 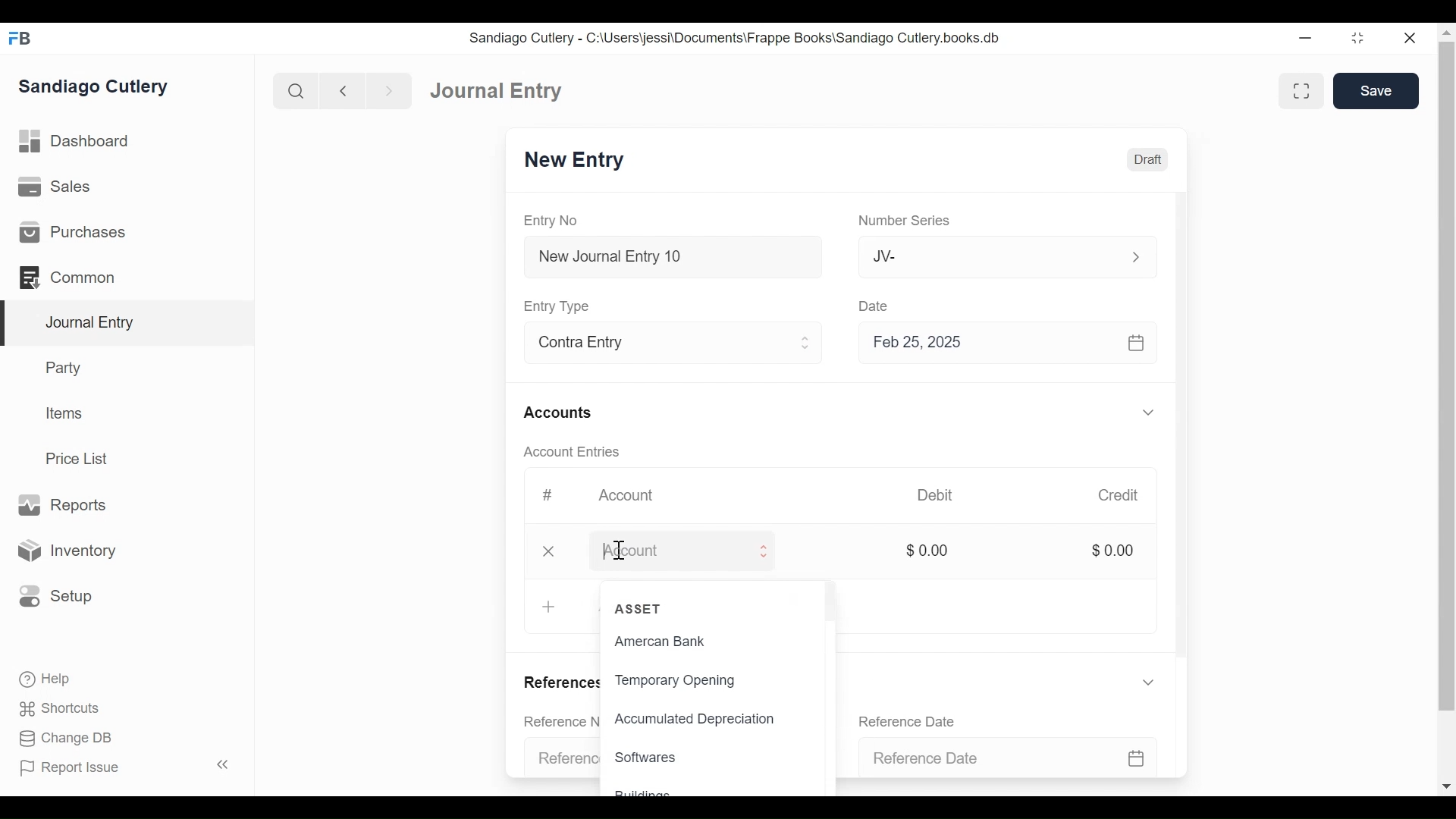 What do you see at coordinates (71, 550) in the screenshot?
I see `Inventory` at bounding box center [71, 550].